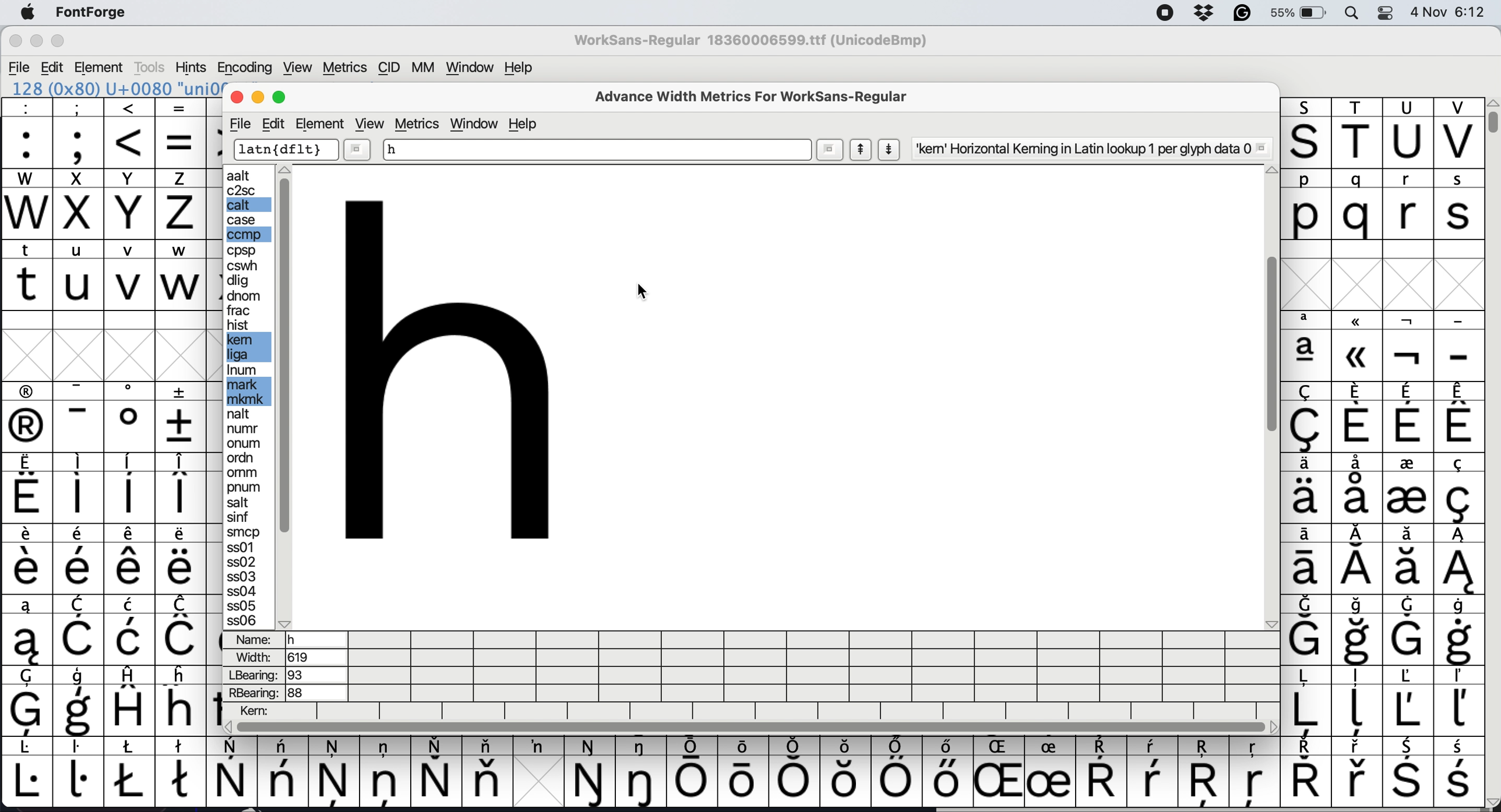 Image resolution: width=1501 pixels, height=812 pixels. What do you see at coordinates (1376, 212) in the screenshot?
I see `lowercase letters` at bounding box center [1376, 212].